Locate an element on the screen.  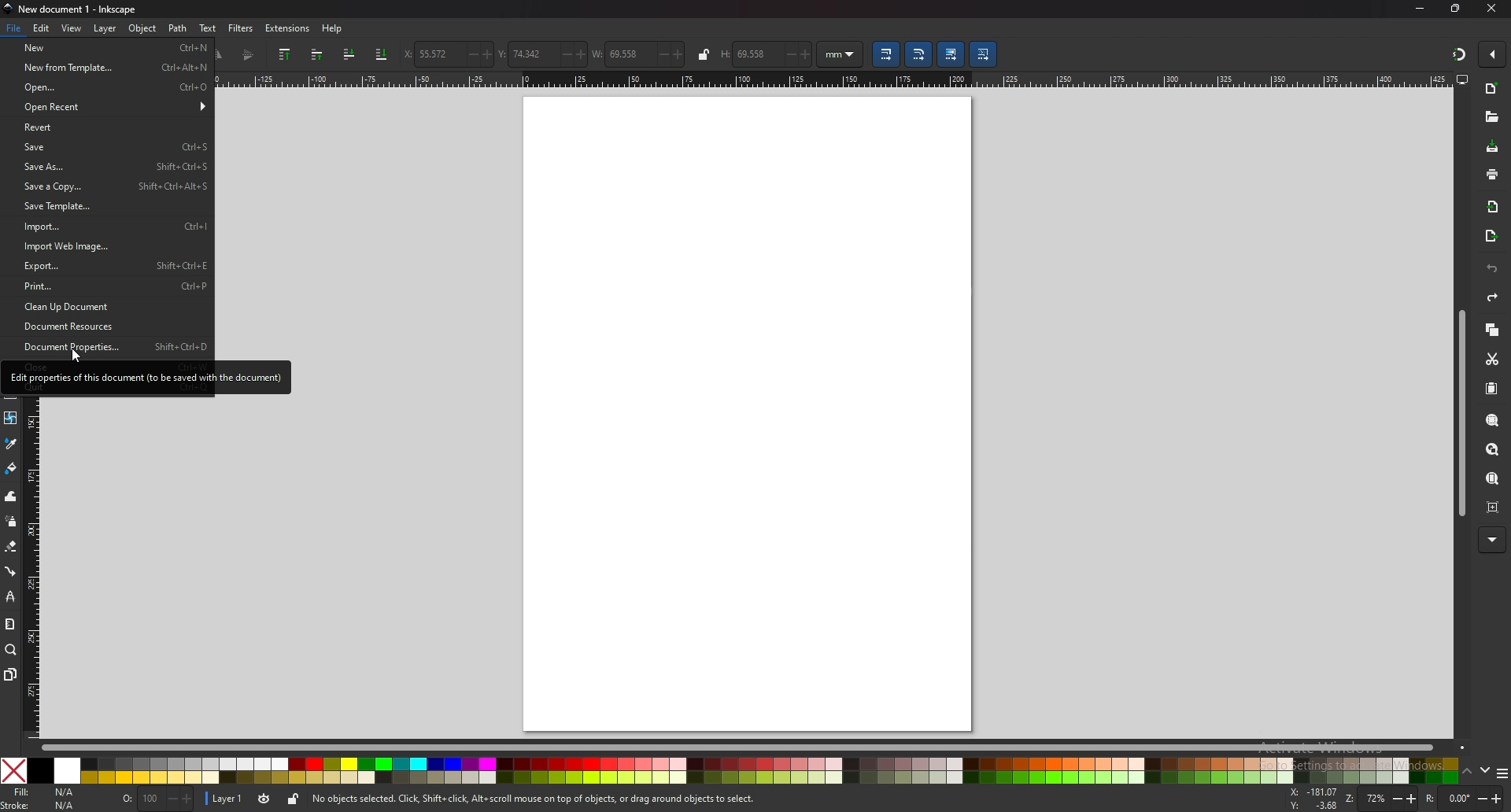
- is located at coordinates (659, 55).